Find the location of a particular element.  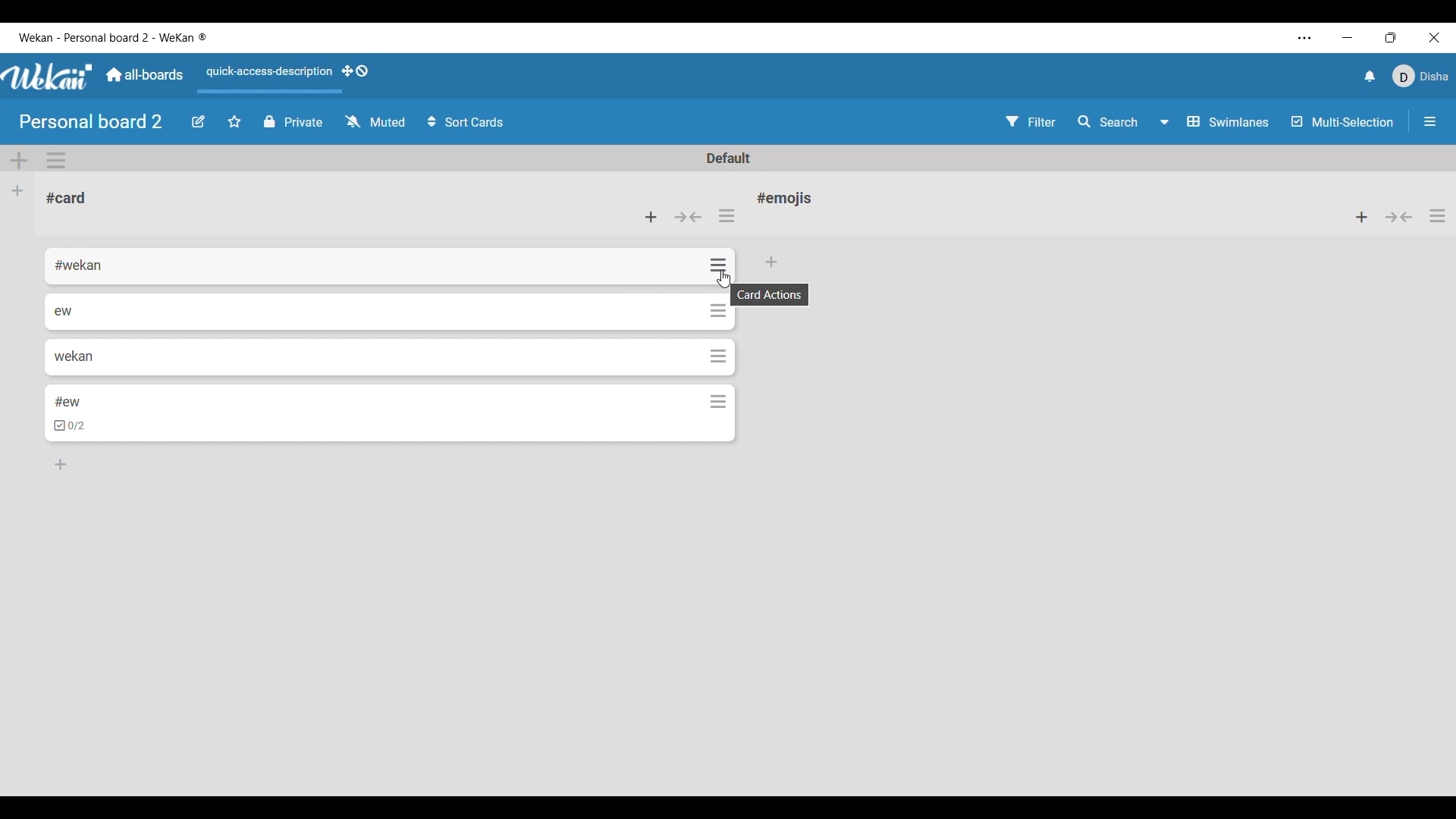

Swimlanes and other board view options is located at coordinates (1213, 121).